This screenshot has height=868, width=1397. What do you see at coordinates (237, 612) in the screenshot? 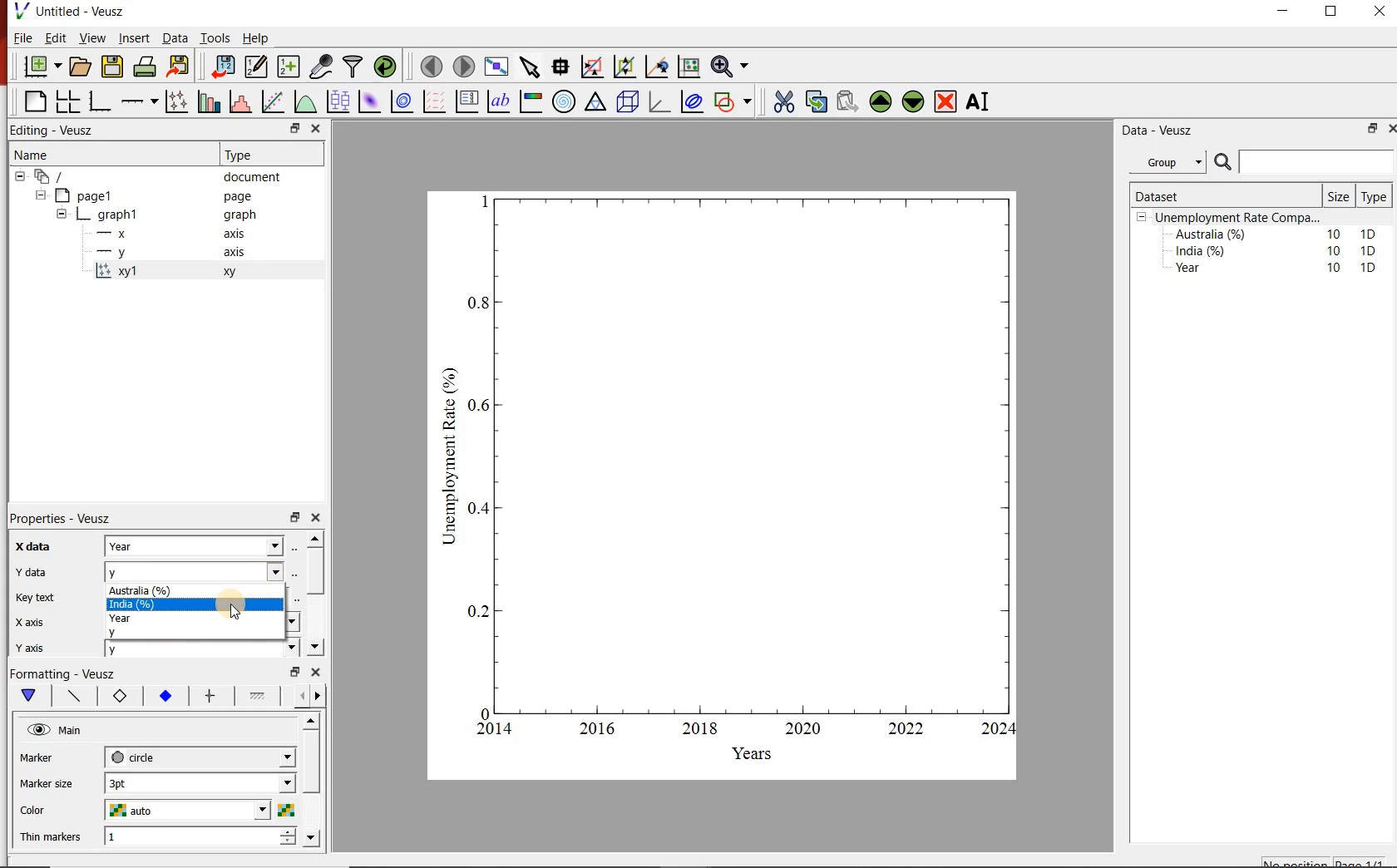
I see `cursor` at bounding box center [237, 612].